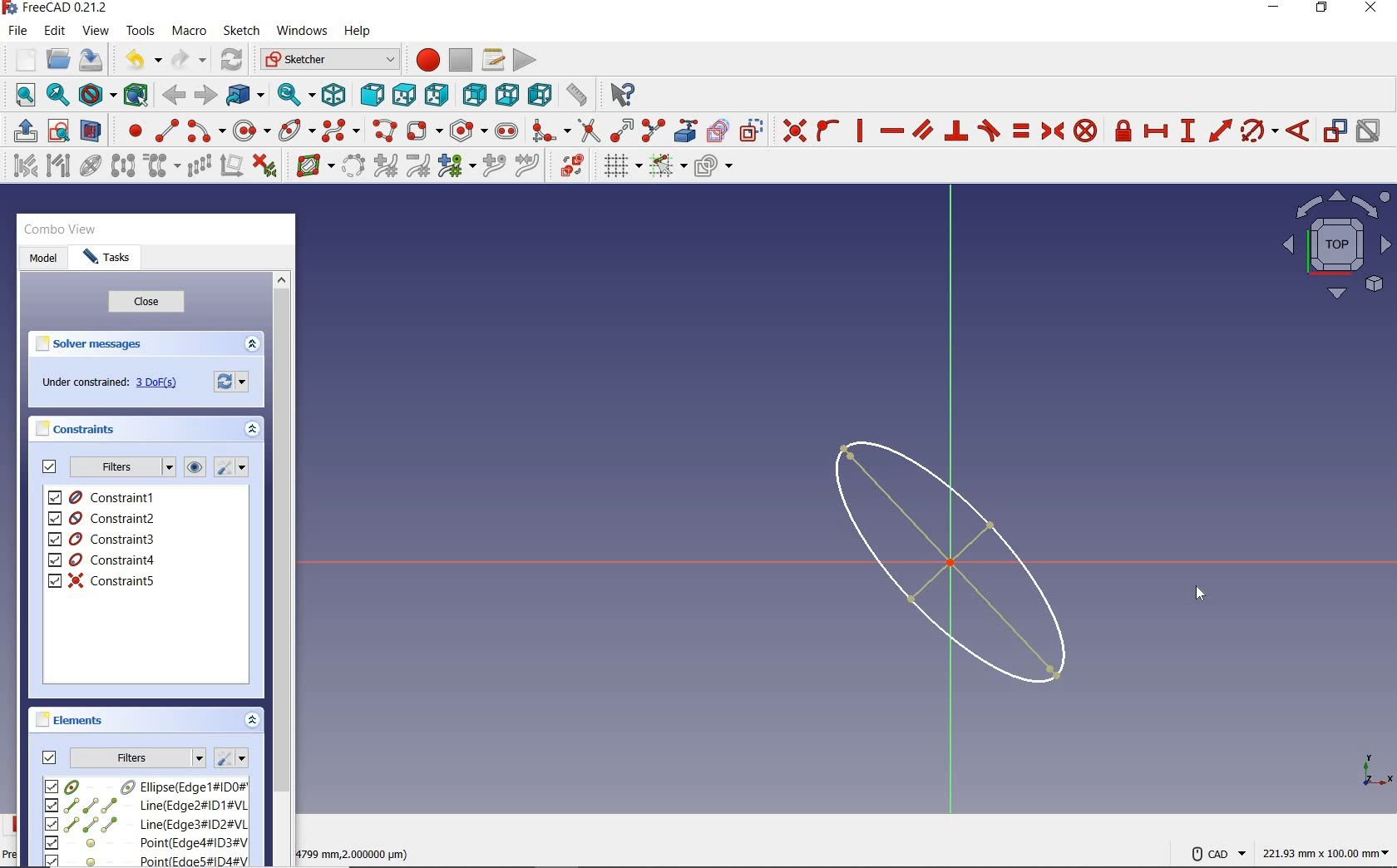 This screenshot has width=1397, height=868. Describe the element at coordinates (357, 32) in the screenshot. I see `help` at that location.